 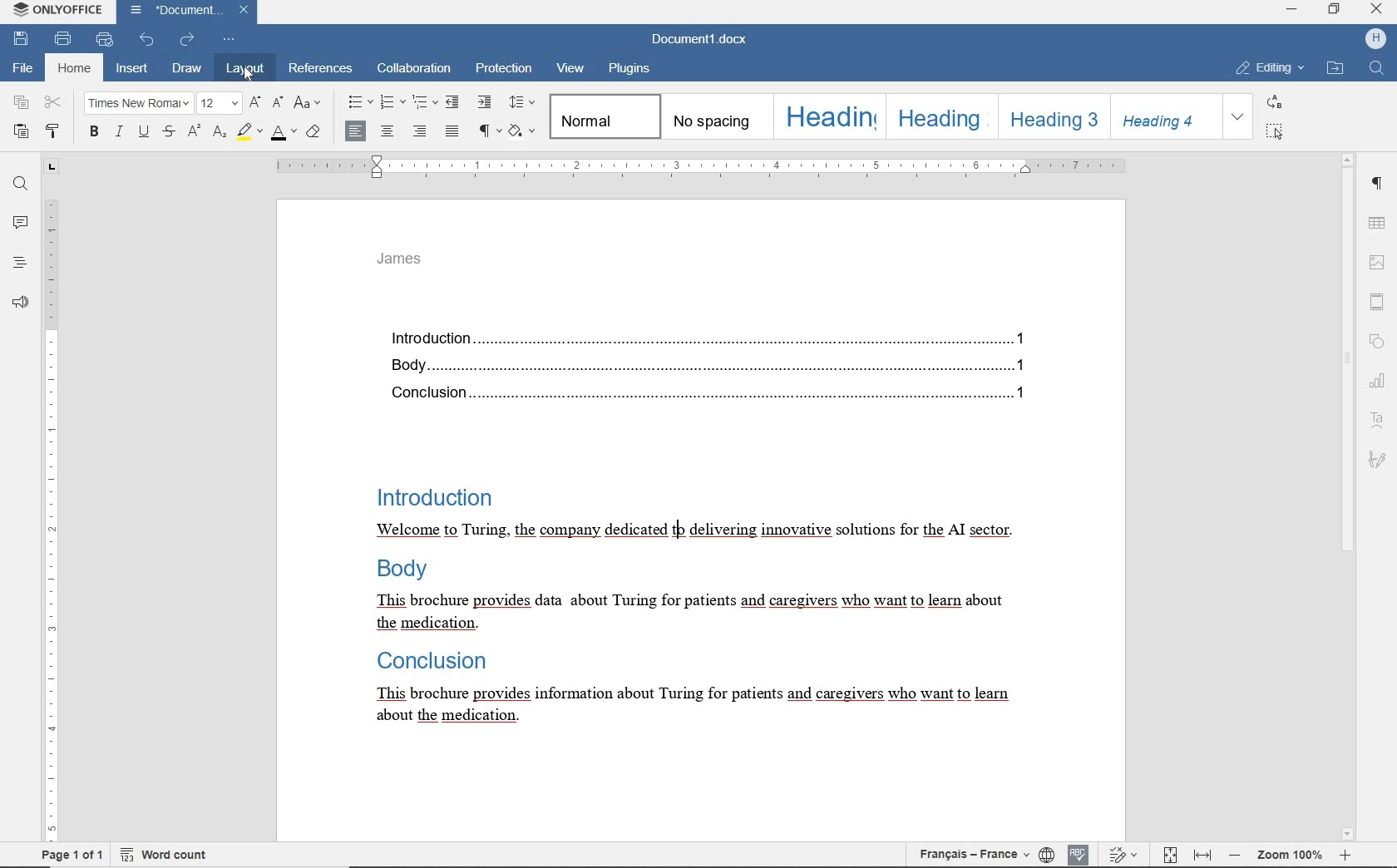 I want to click on EXPAND, so click(x=1239, y=118).